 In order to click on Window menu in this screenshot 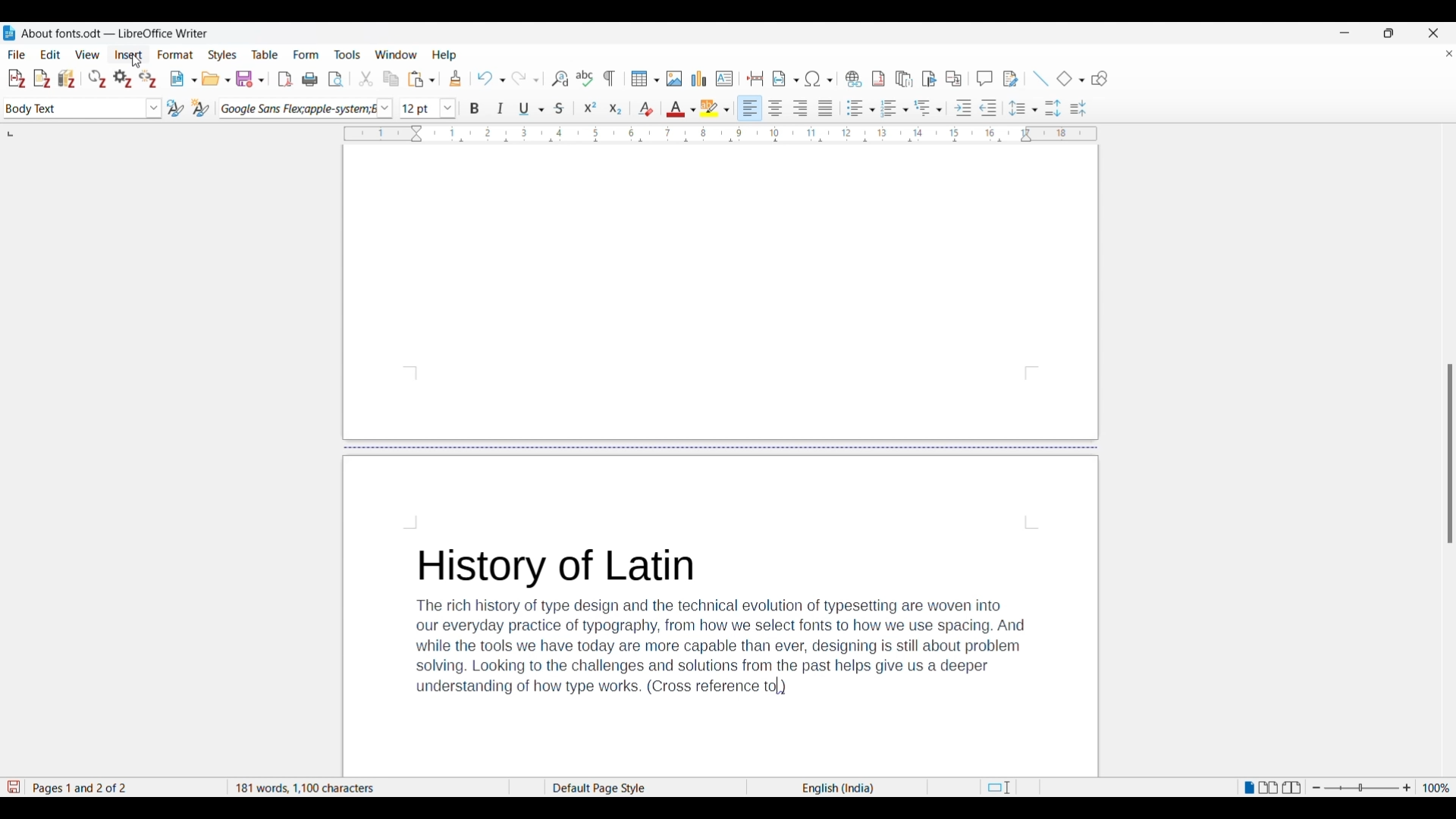, I will do `click(397, 55)`.